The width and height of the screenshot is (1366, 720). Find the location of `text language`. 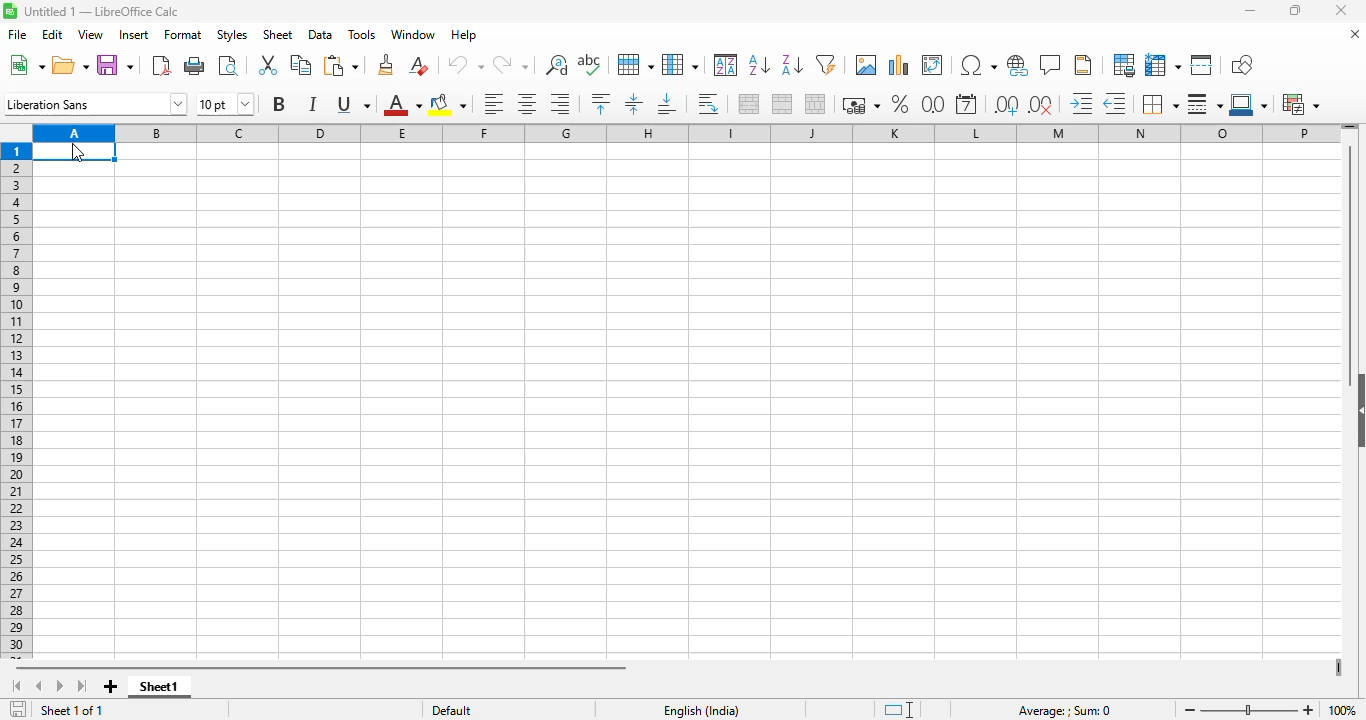

text language is located at coordinates (702, 711).